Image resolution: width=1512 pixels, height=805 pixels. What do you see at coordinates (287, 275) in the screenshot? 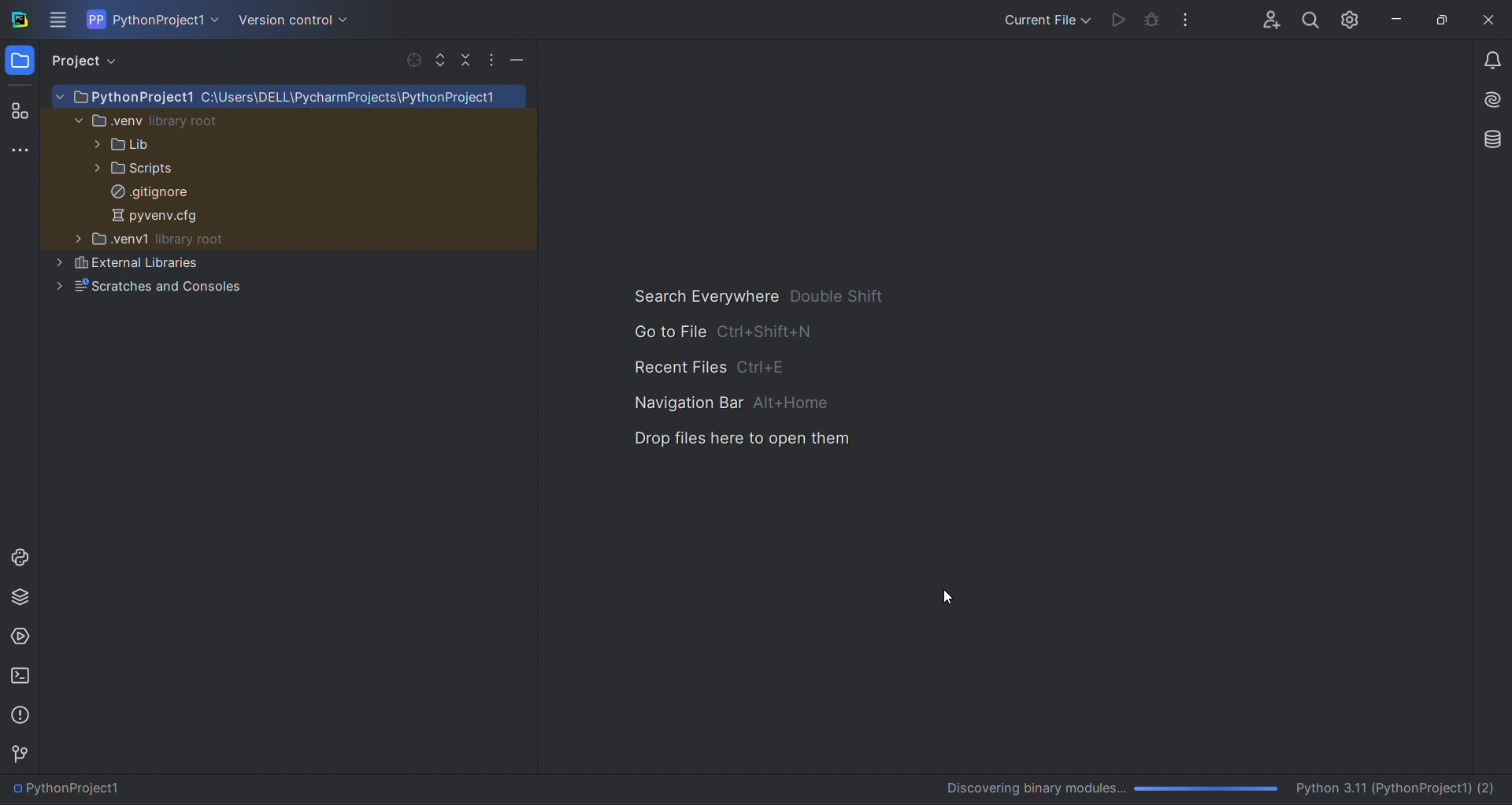
I see `file tree` at bounding box center [287, 275].